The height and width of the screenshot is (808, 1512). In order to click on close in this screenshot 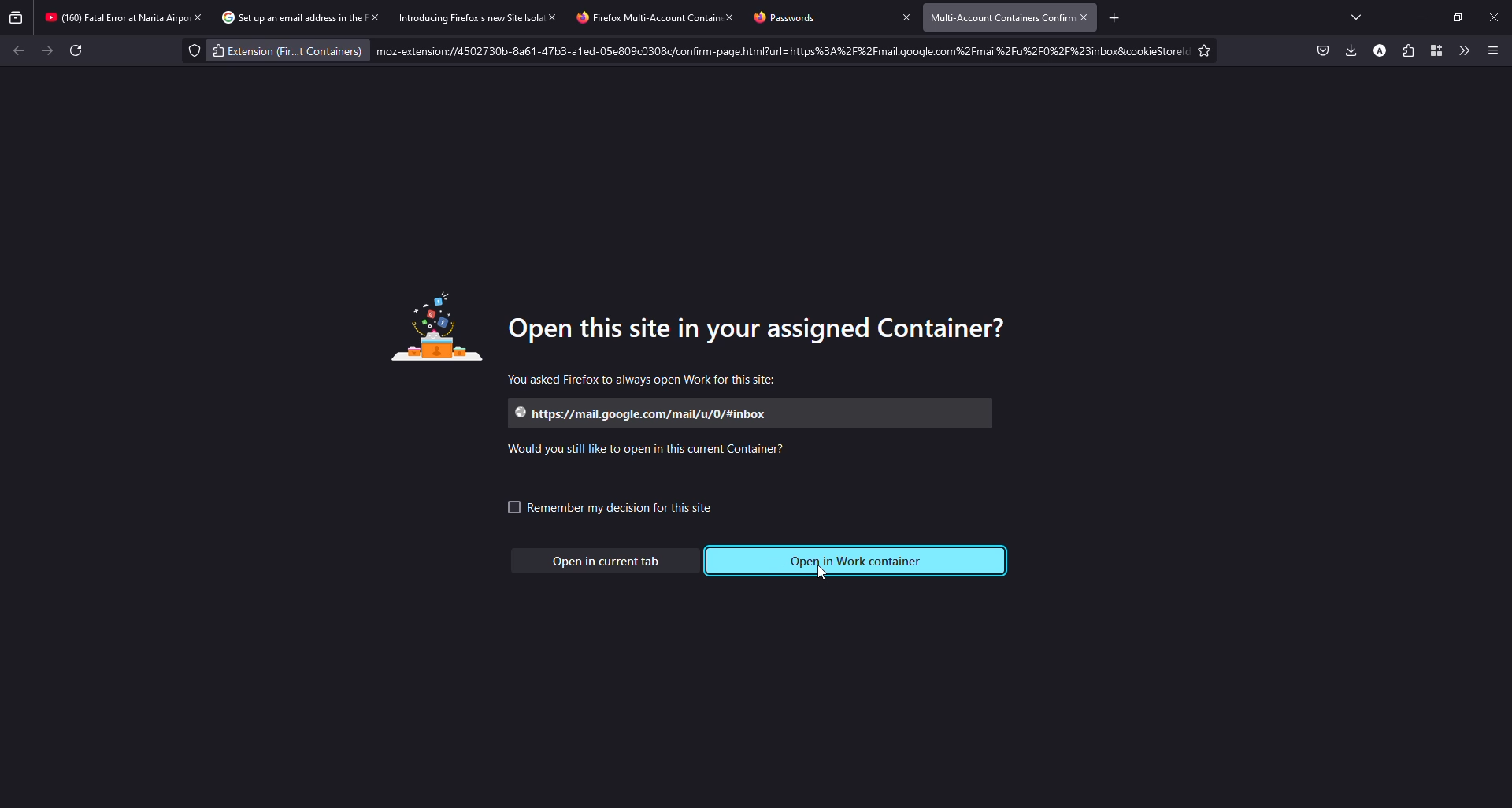, I will do `click(554, 17)`.